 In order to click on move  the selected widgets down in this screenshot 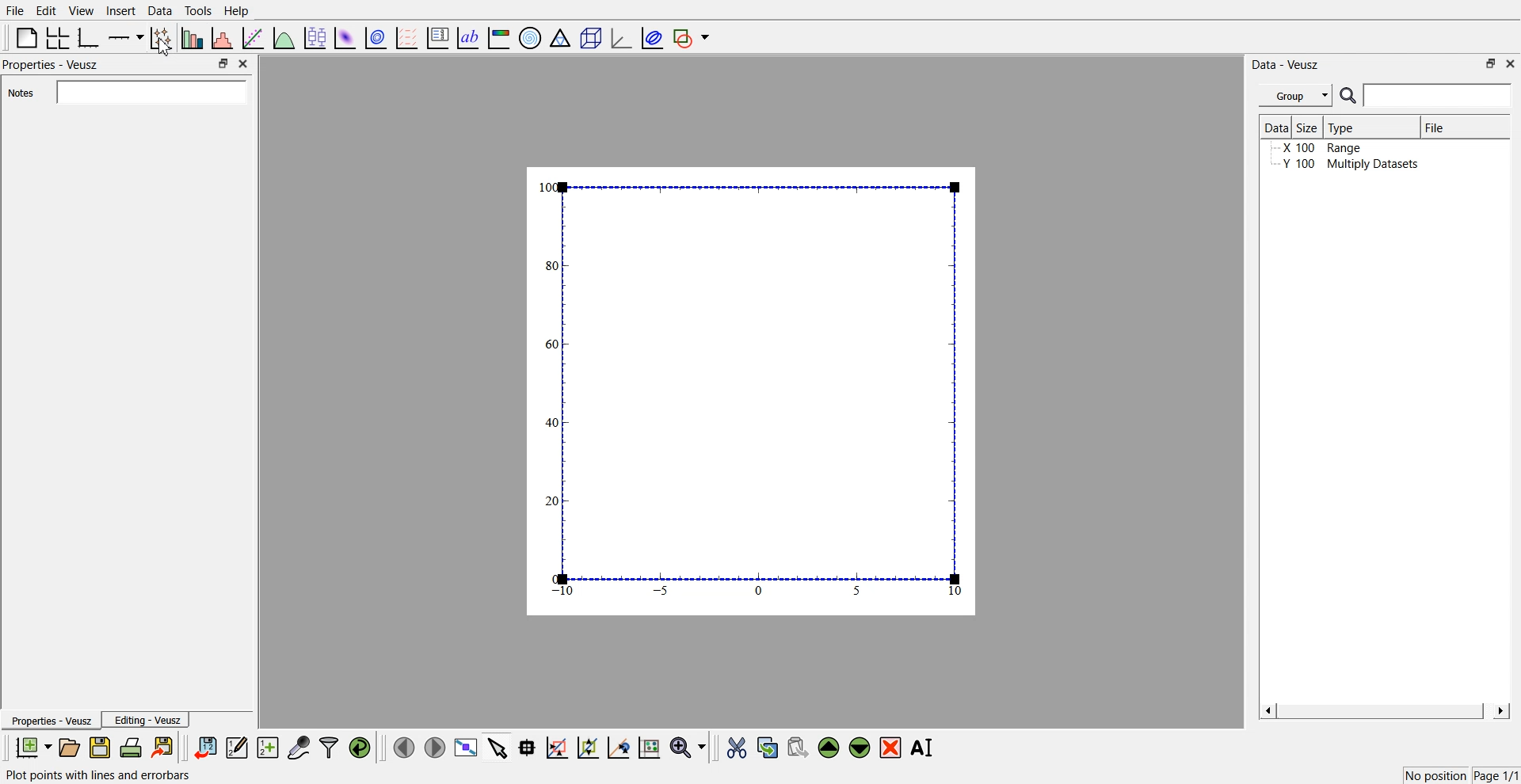, I will do `click(860, 746)`.